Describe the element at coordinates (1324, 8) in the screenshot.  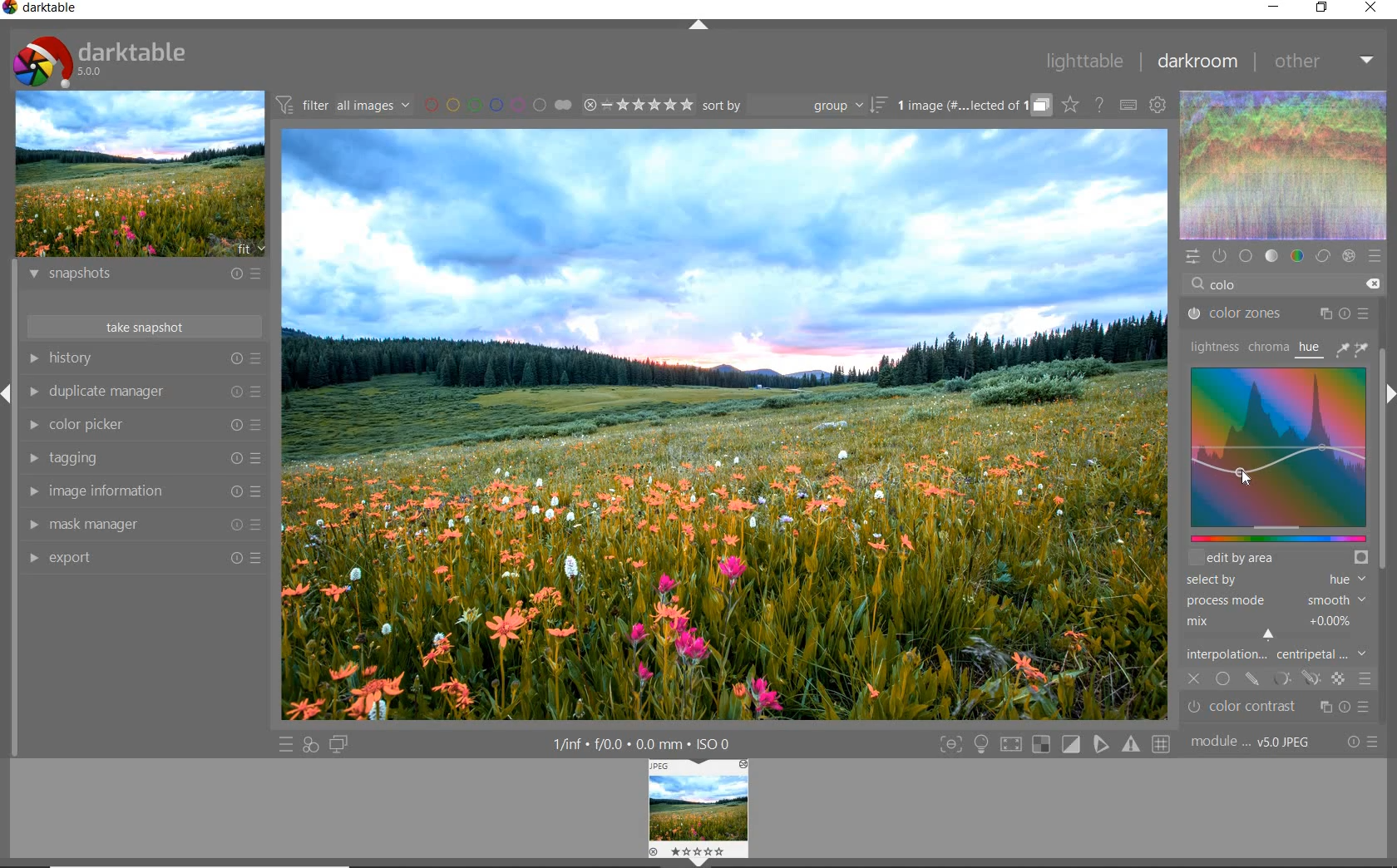
I see `restore` at that location.